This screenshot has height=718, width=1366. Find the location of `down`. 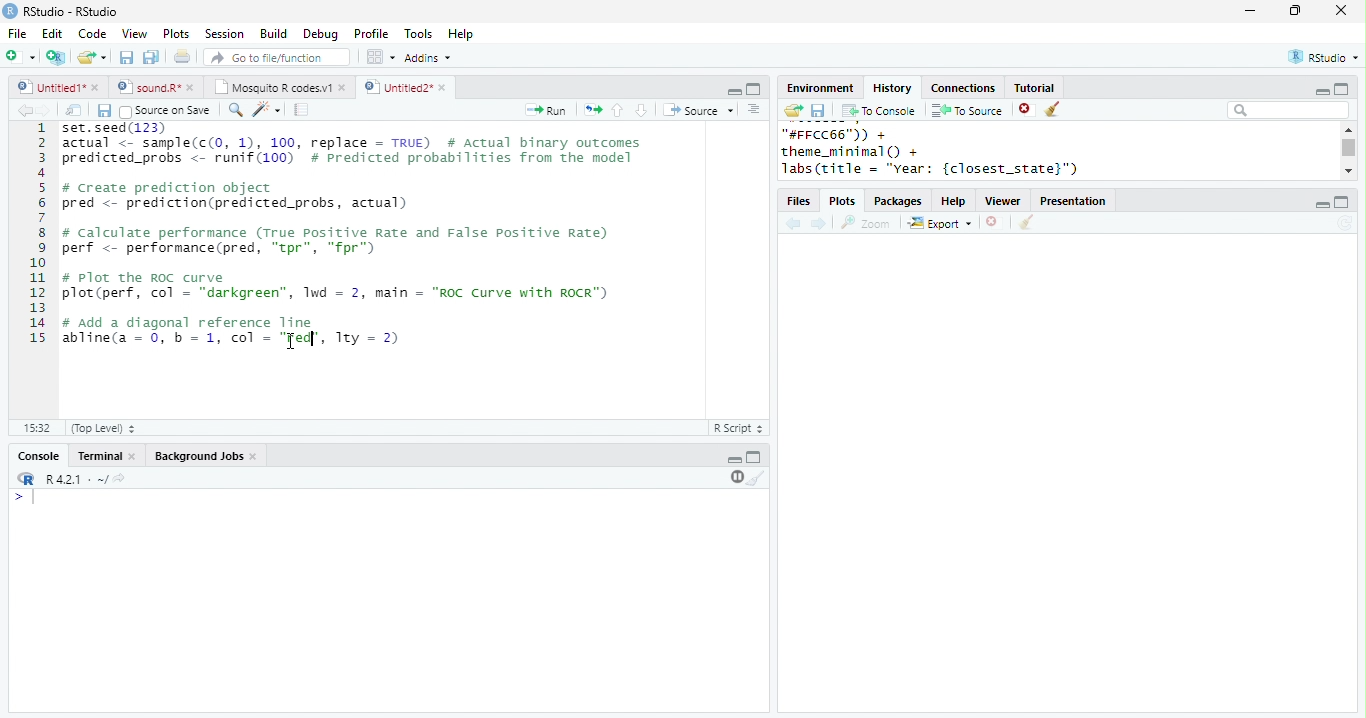

down is located at coordinates (640, 110).